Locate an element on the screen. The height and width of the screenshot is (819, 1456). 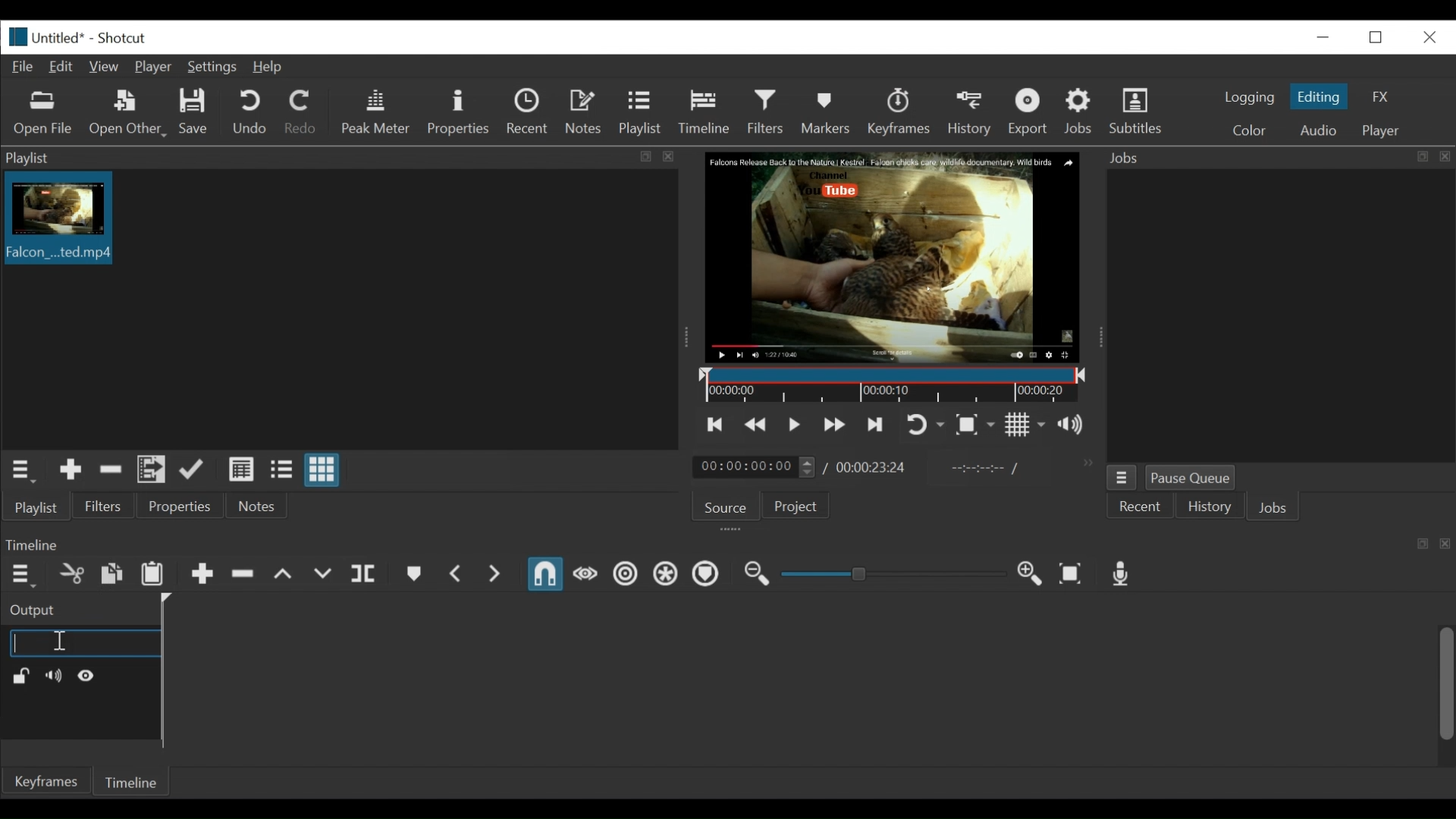
Output is located at coordinates (71, 610).